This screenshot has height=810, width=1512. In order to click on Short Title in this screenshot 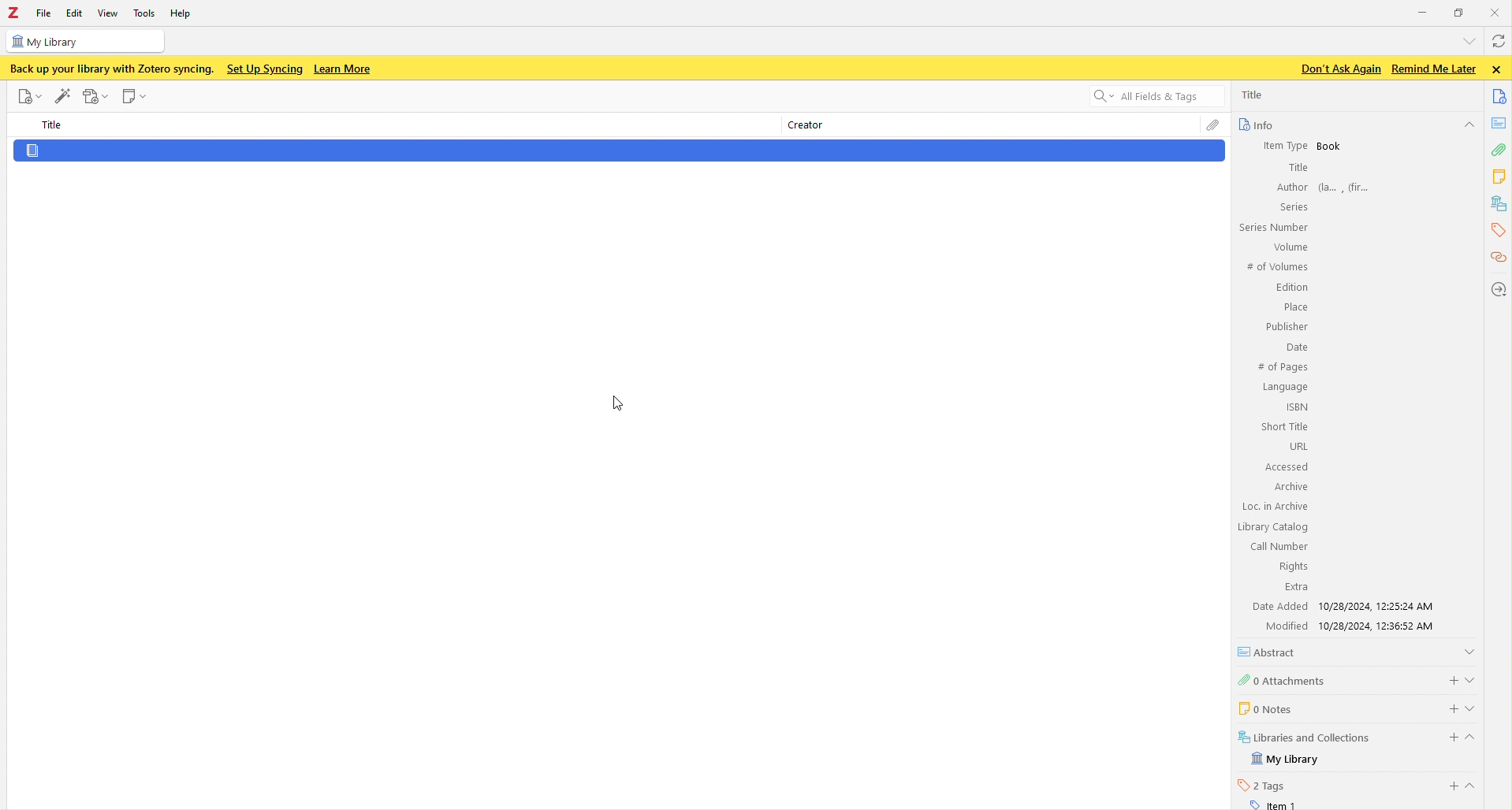, I will do `click(1286, 426)`.